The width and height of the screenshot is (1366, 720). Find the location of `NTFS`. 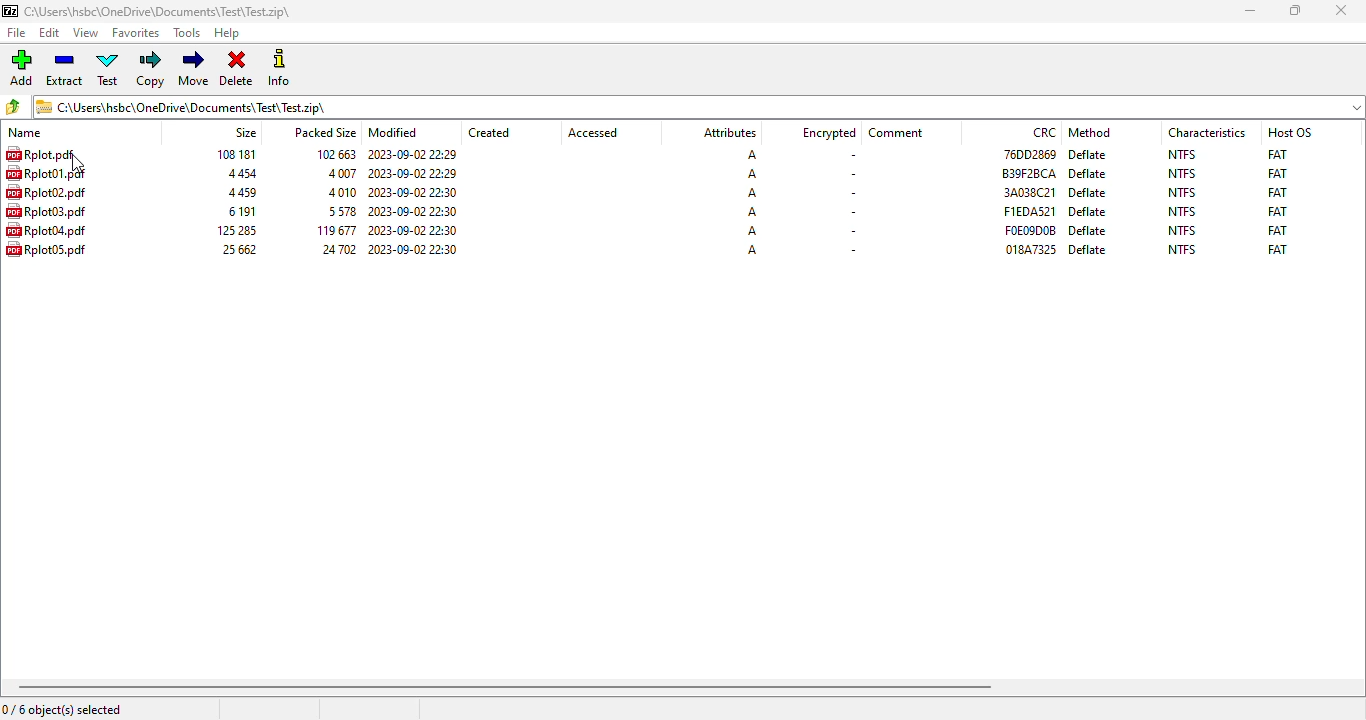

NTFS is located at coordinates (1181, 249).